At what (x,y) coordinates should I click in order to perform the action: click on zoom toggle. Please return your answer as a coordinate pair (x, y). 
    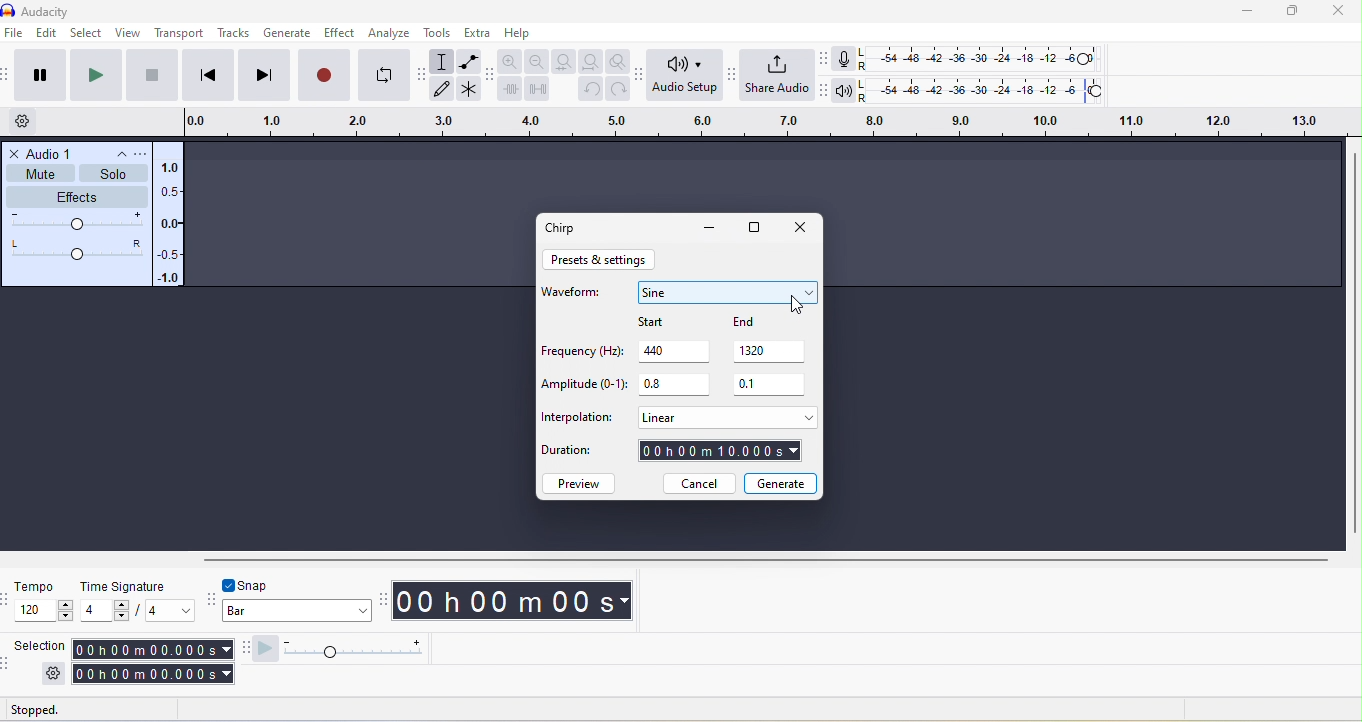
    Looking at the image, I should click on (620, 62).